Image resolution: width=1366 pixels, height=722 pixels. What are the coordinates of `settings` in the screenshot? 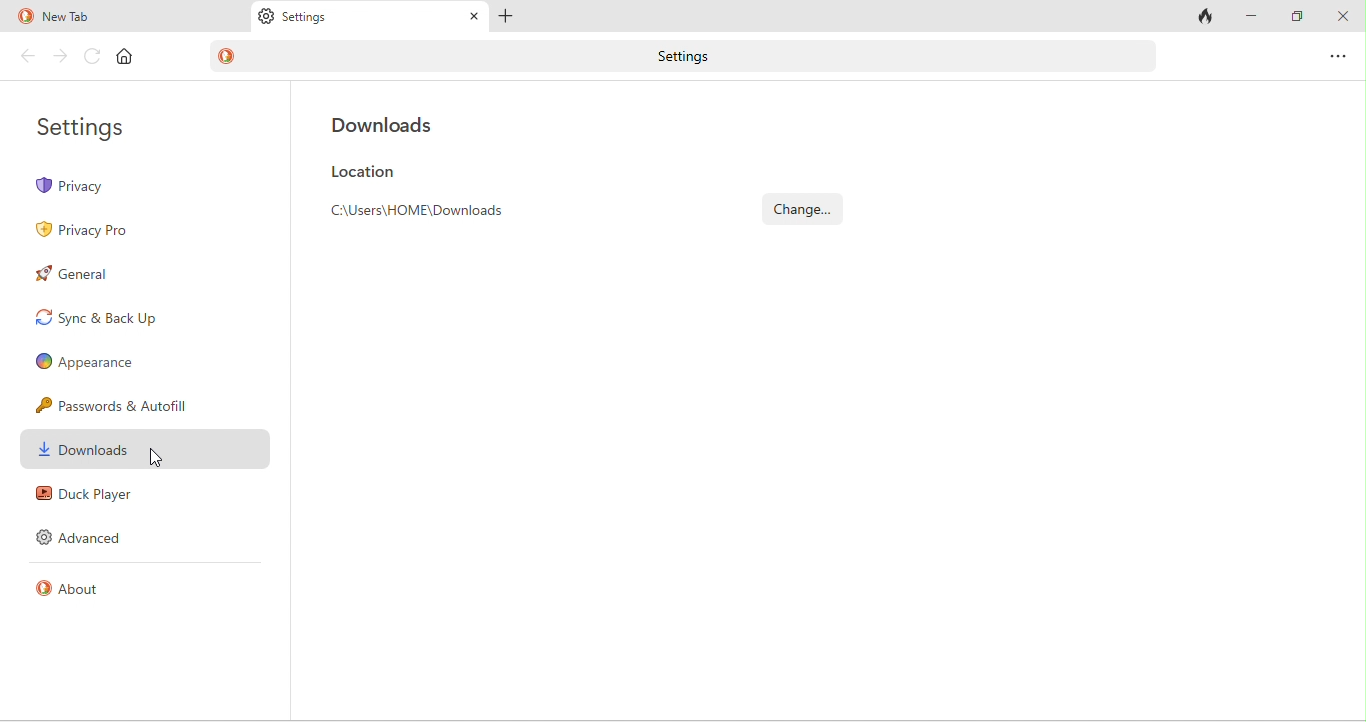 It's located at (712, 57).